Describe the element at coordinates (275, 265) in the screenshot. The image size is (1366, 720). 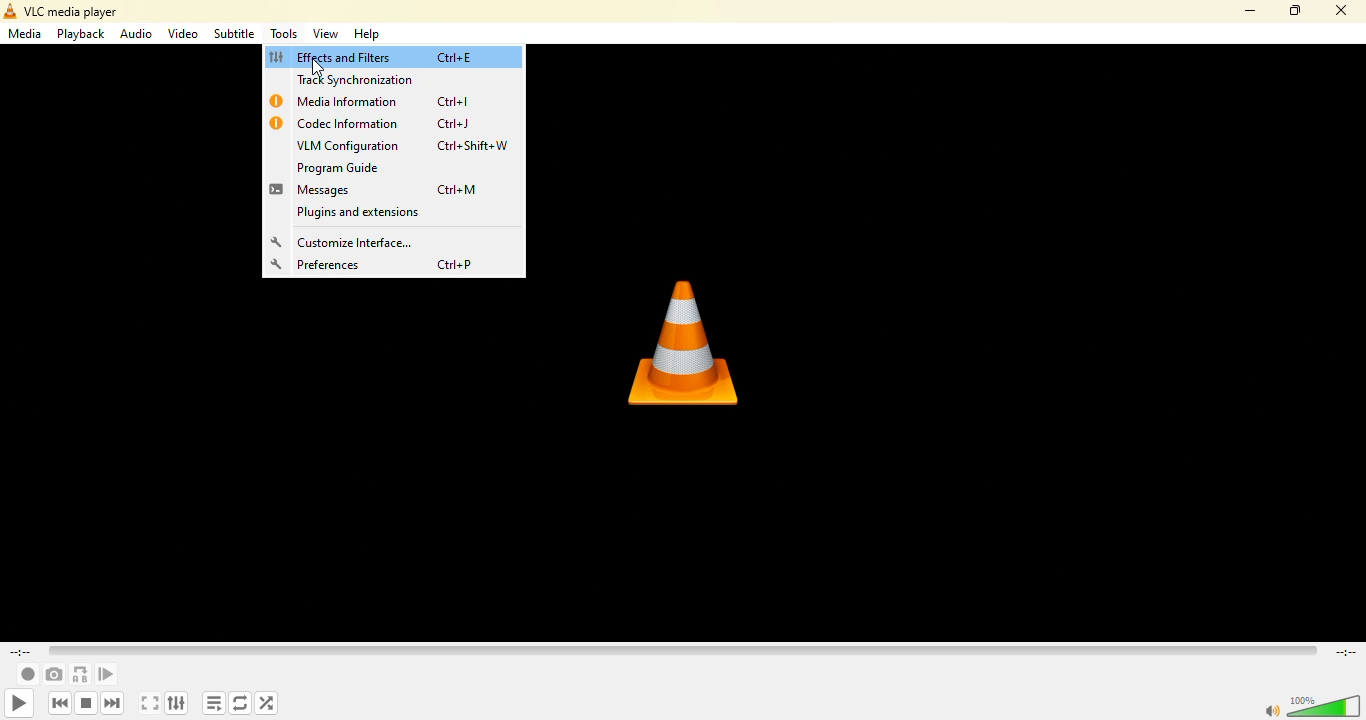
I see `setting` at that location.